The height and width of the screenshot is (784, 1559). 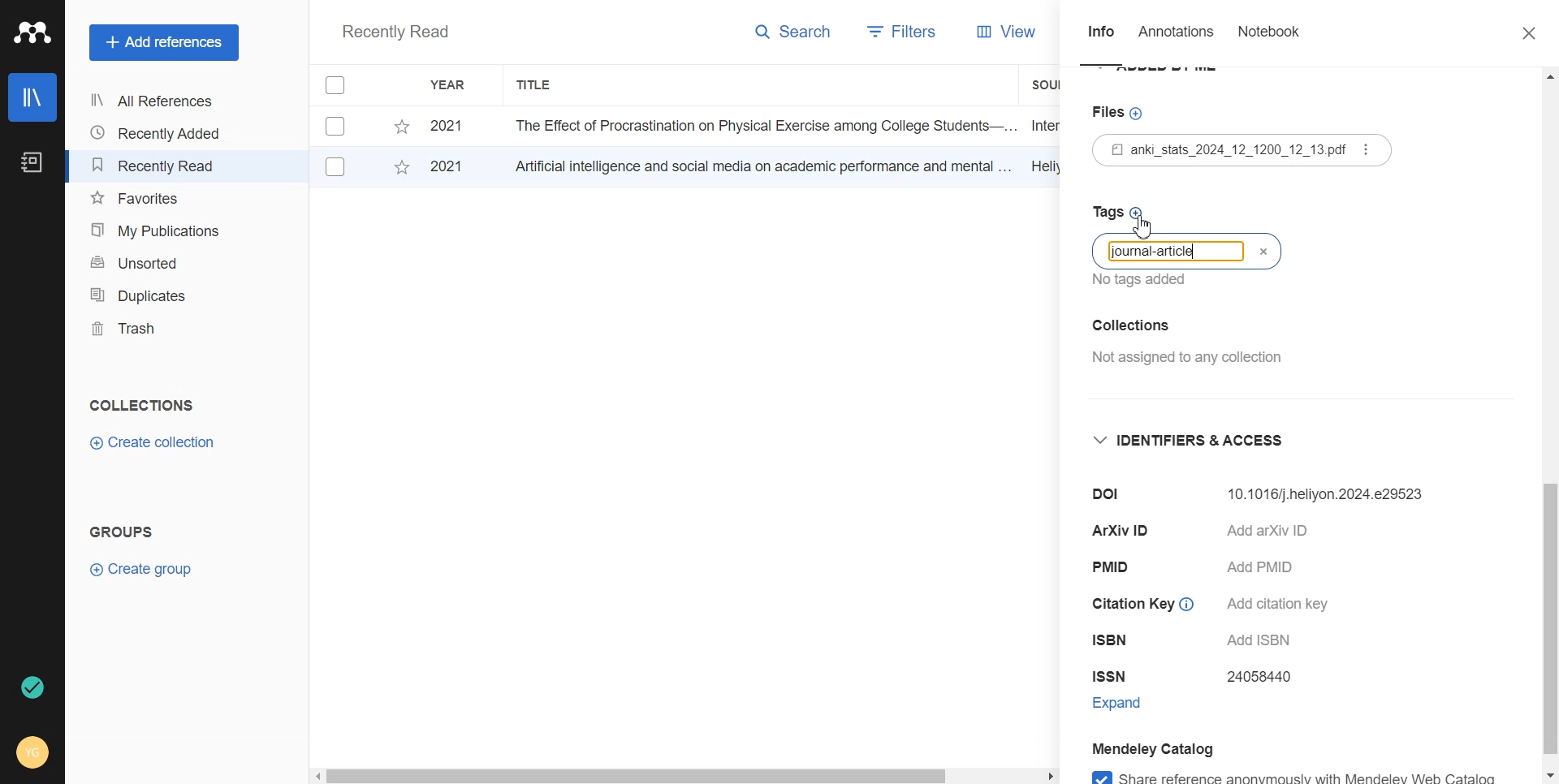 What do you see at coordinates (154, 443) in the screenshot?
I see `Create Collection` at bounding box center [154, 443].